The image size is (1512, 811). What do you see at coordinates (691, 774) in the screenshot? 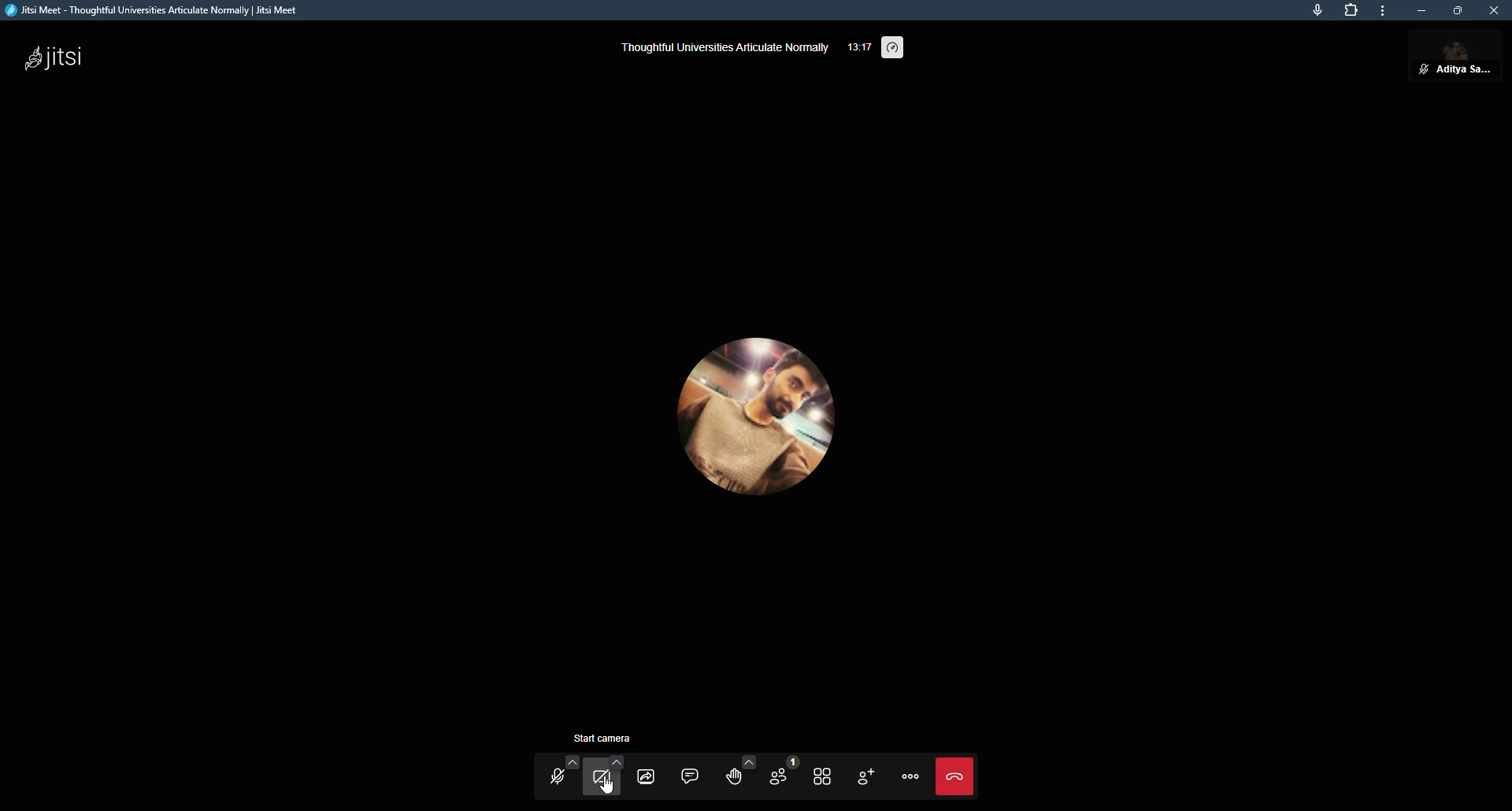
I see `open chat` at bounding box center [691, 774].